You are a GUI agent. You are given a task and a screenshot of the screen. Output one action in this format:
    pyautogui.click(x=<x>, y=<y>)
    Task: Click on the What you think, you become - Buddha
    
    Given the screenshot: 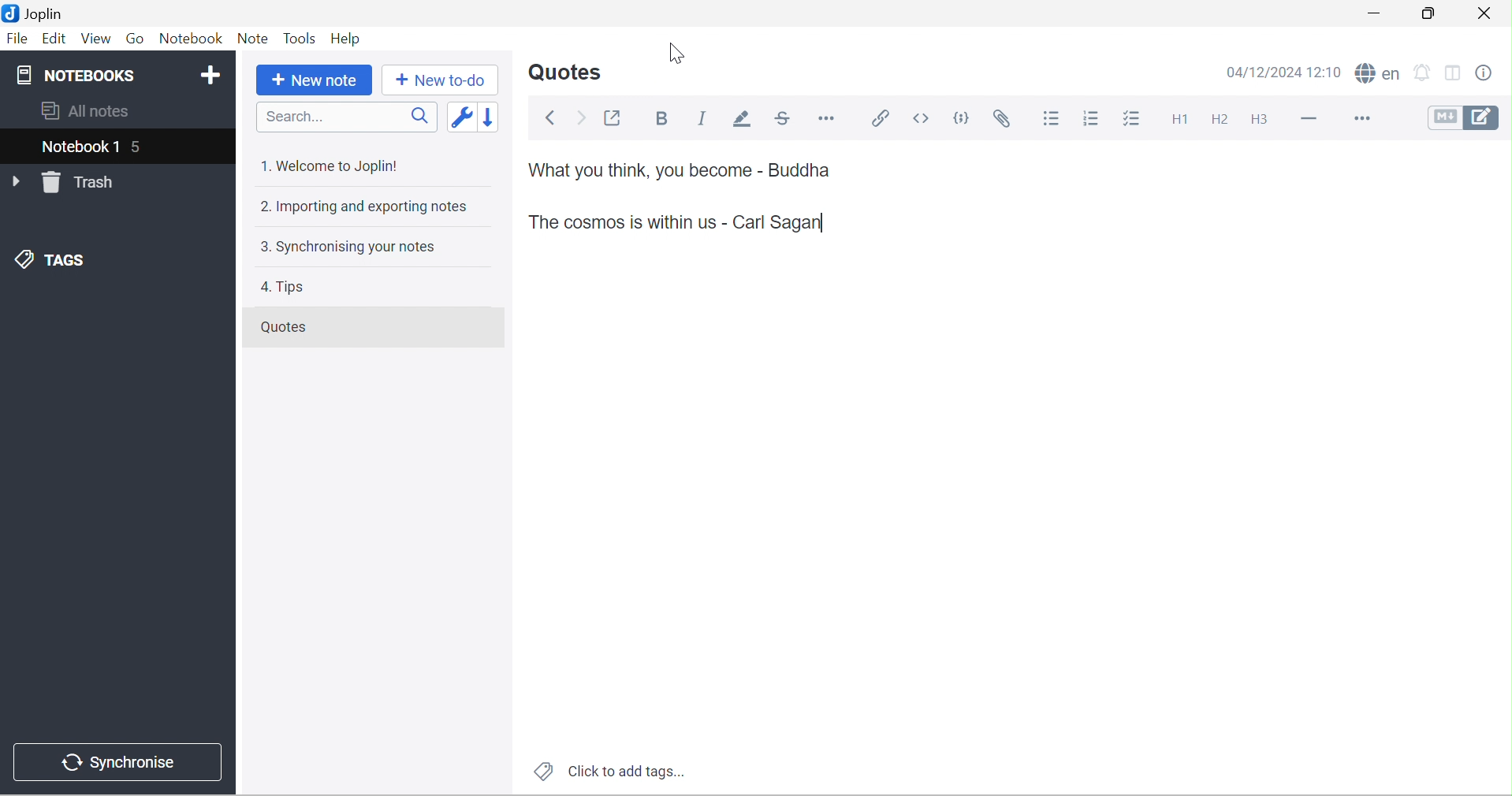 What is the action you would take?
    pyautogui.click(x=681, y=171)
    